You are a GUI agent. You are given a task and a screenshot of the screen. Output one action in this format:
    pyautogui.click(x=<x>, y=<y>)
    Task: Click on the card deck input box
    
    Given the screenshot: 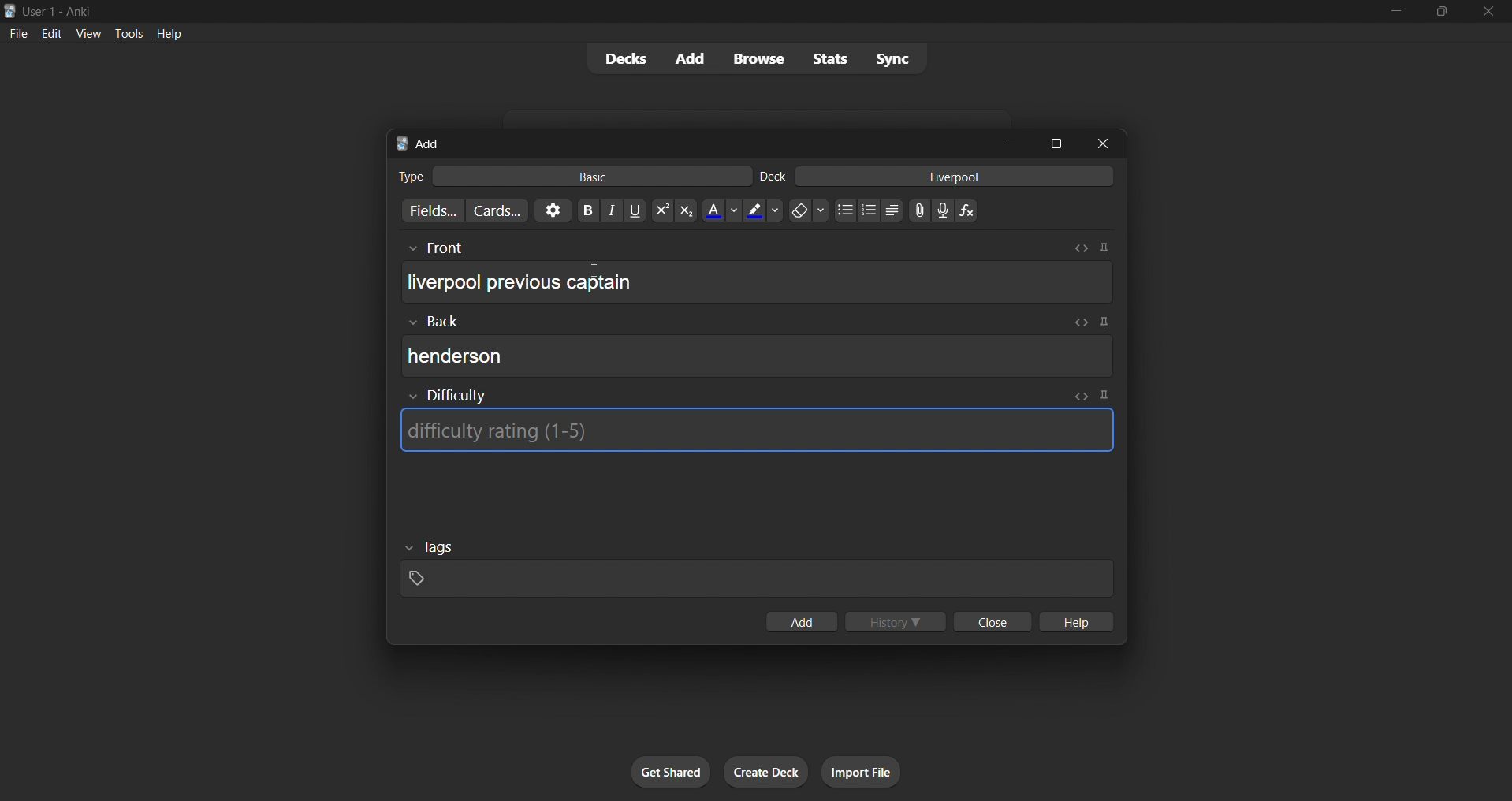 What is the action you would take?
    pyautogui.click(x=940, y=179)
    